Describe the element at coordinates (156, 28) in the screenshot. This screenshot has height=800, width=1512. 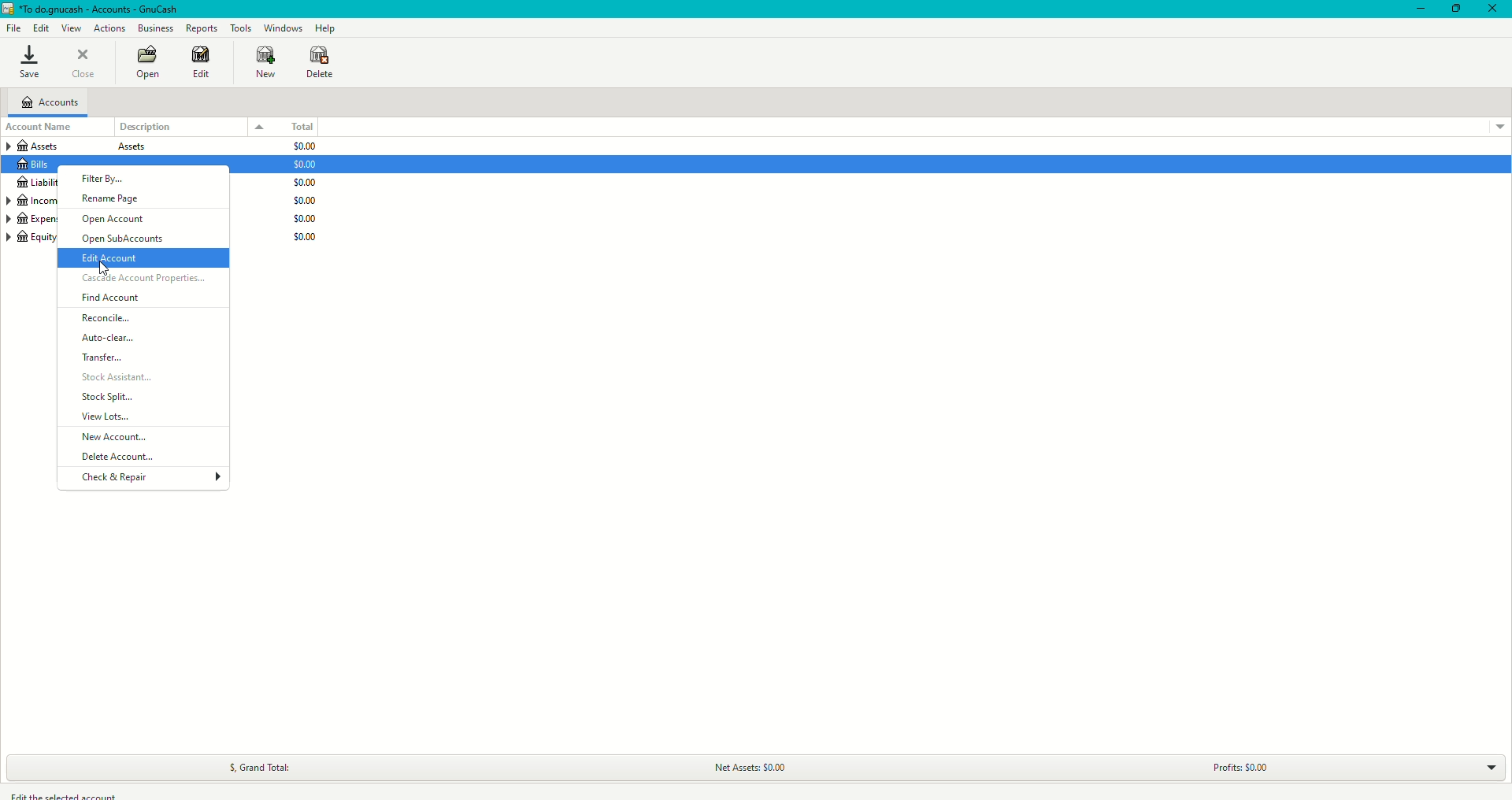
I see `Business` at that location.